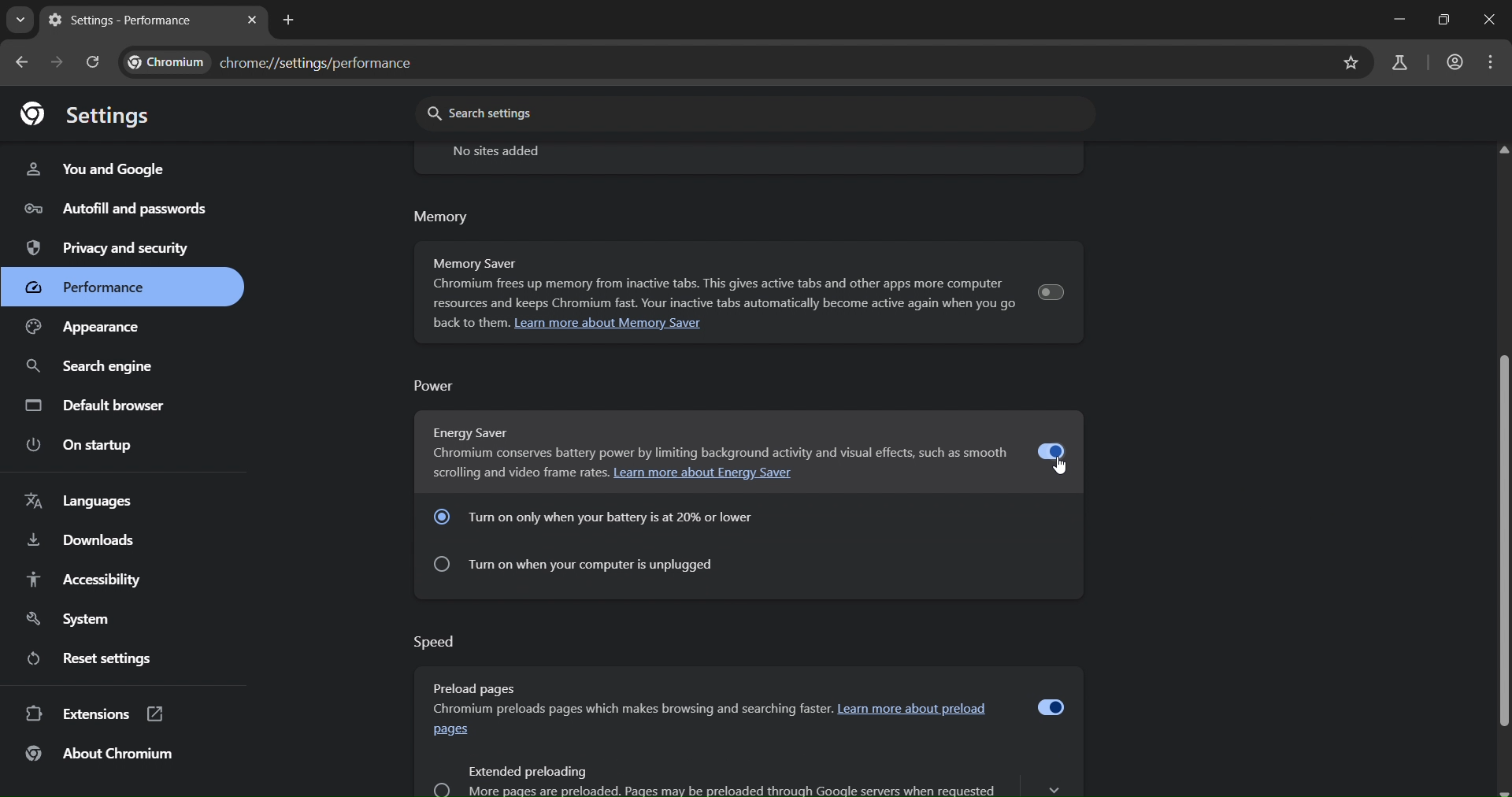 Image resolution: width=1512 pixels, height=797 pixels. Describe the element at coordinates (443, 216) in the screenshot. I see `memory` at that location.